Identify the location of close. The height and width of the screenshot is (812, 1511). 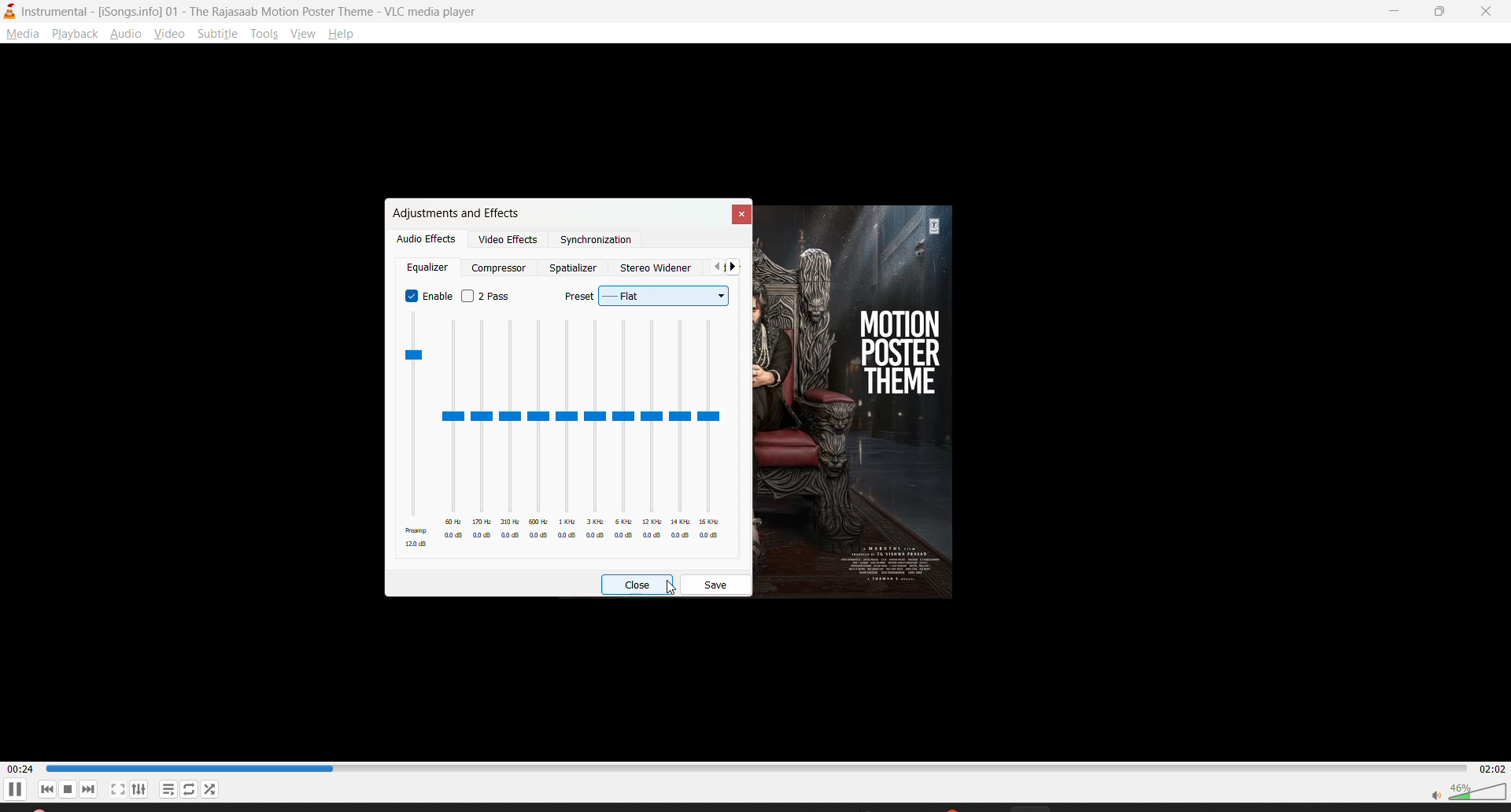
(640, 585).